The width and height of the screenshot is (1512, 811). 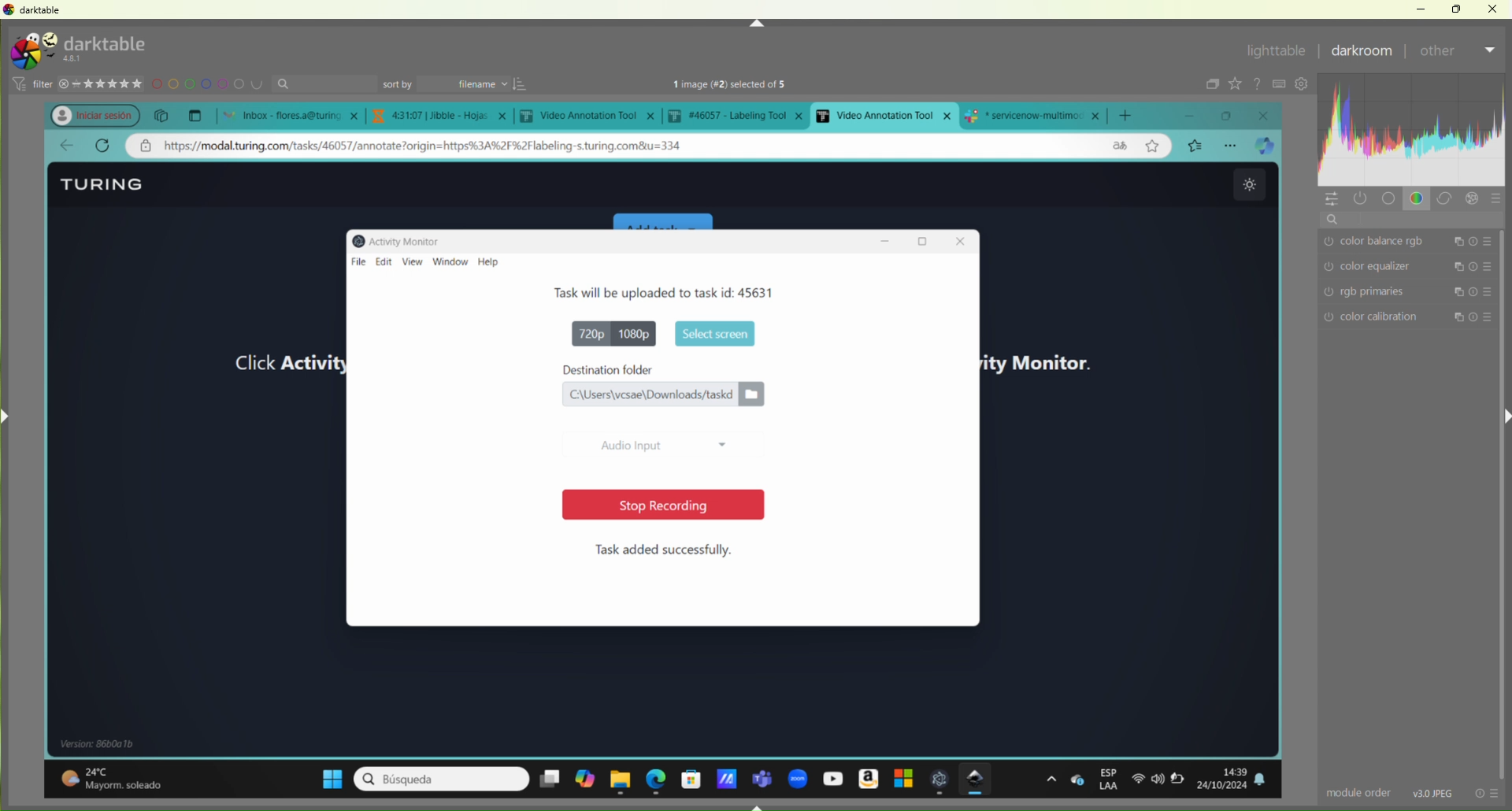 What do you see at coordinates (978, 780) in the screenshot?
I see `darktable` at bounding box center [978, 780].